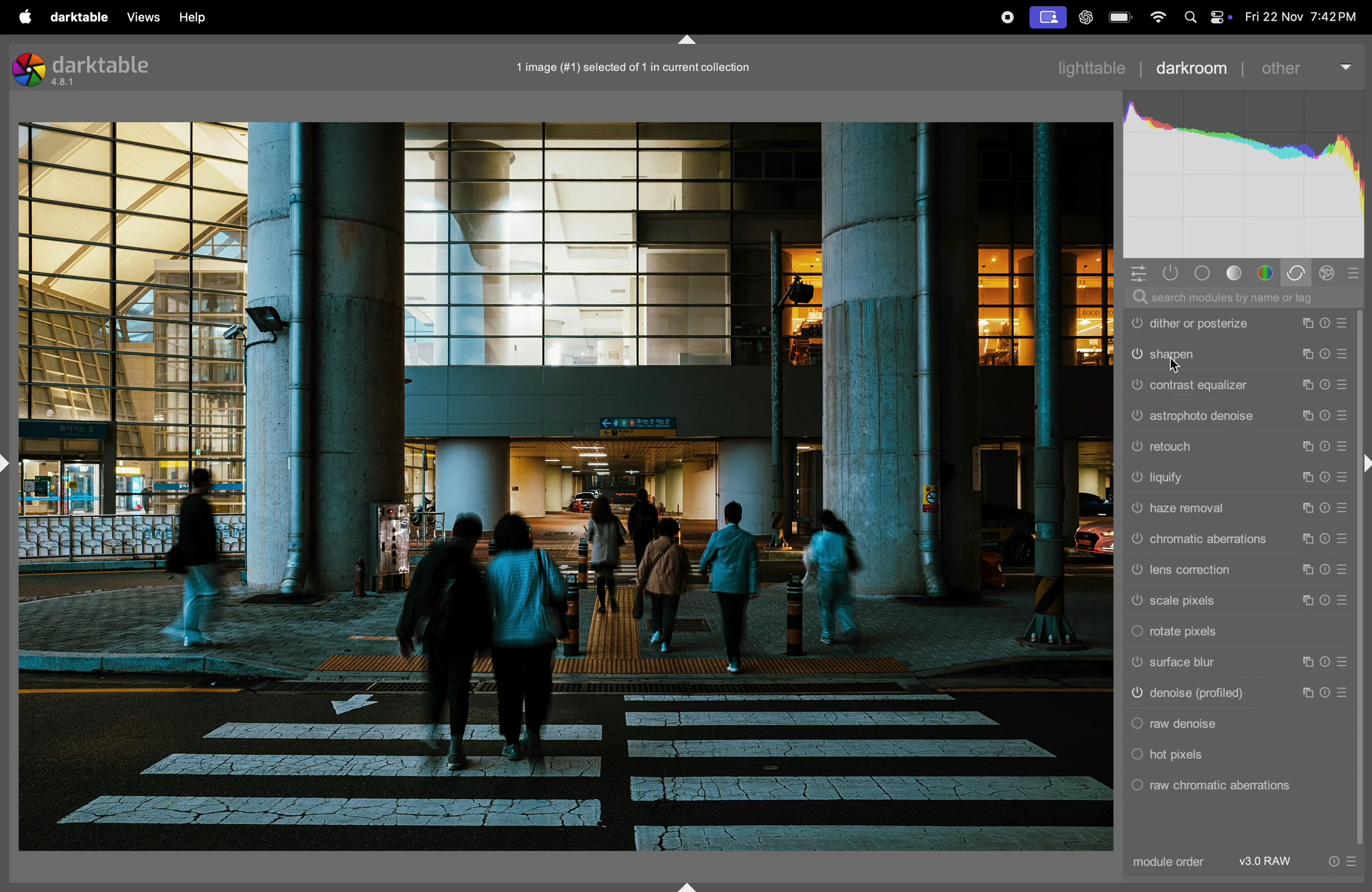 This screenshot has width=1372, height=892. I want to click on hot pixels, so click(1236, 755).